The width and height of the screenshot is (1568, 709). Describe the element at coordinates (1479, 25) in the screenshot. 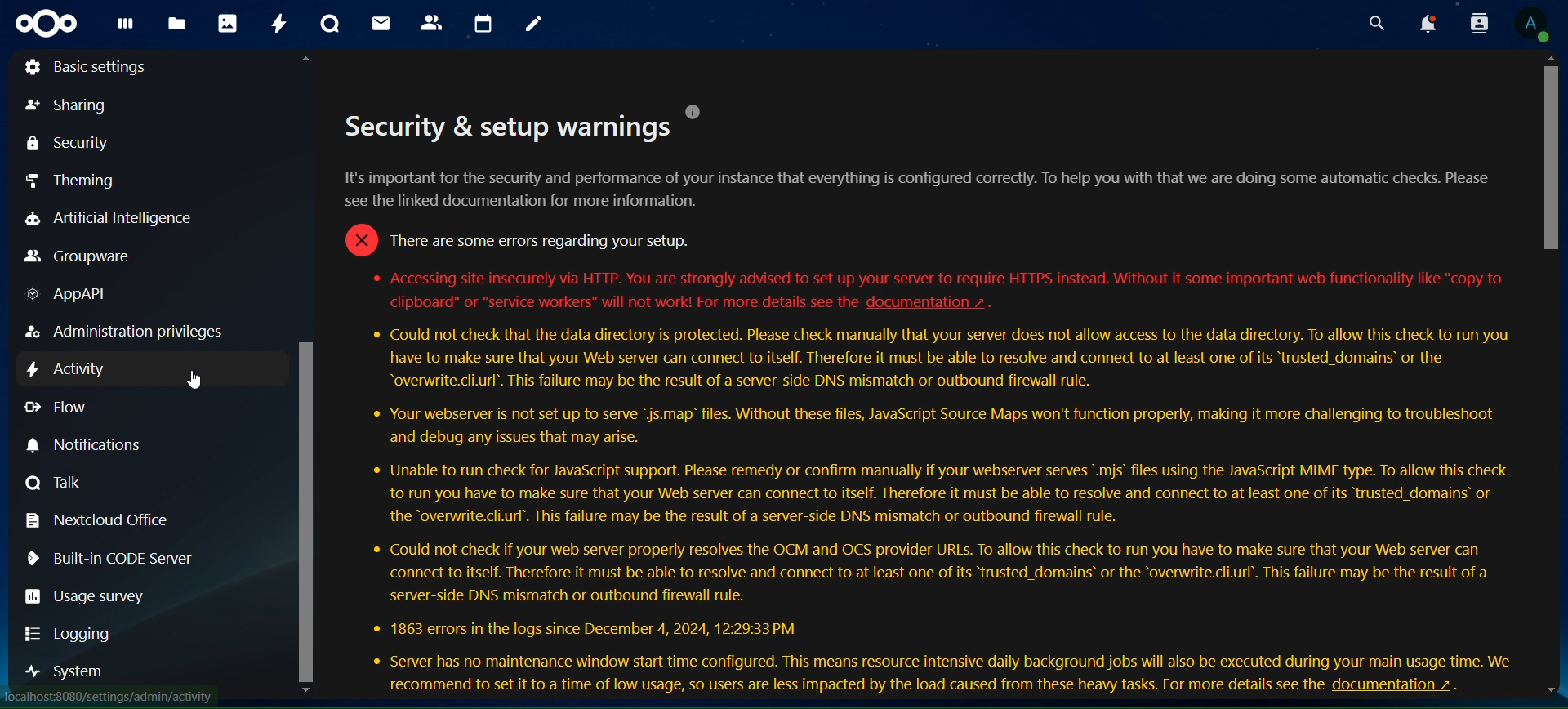

I see `search contacts` at that location.